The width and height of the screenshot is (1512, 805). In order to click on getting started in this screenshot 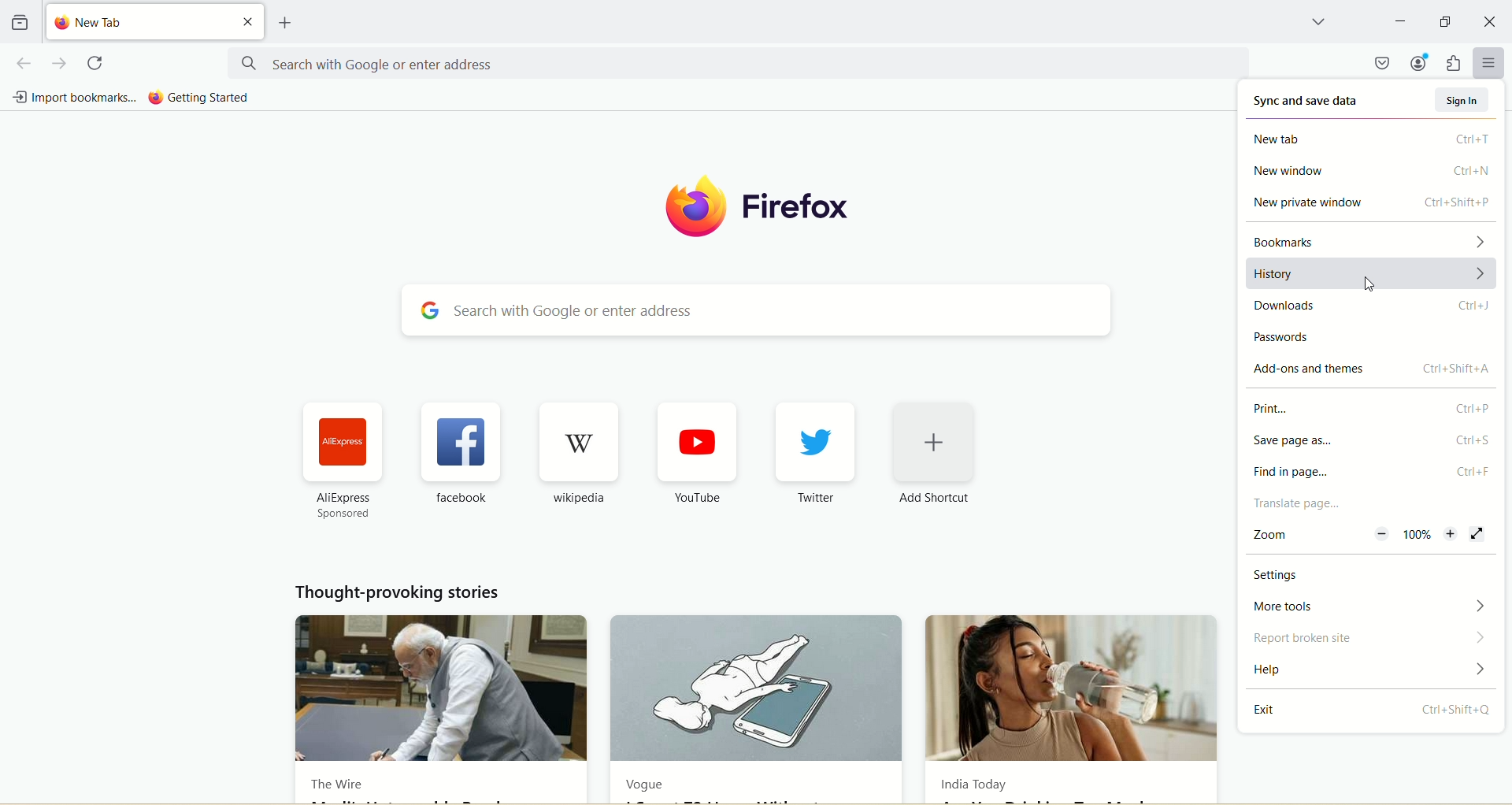, I will do `click(204, 98)`.